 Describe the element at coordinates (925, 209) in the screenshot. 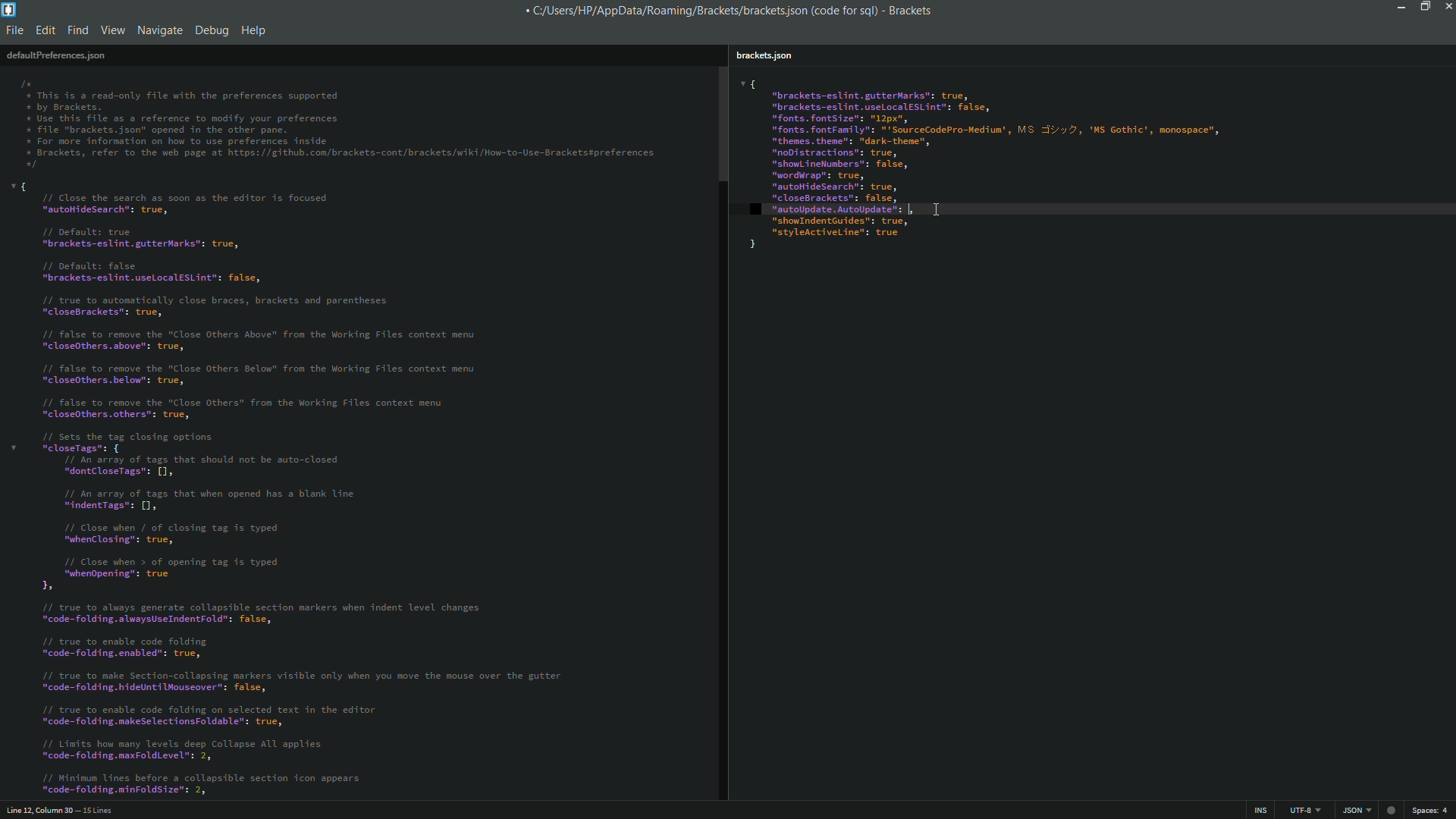

I see `cursor` at that location.